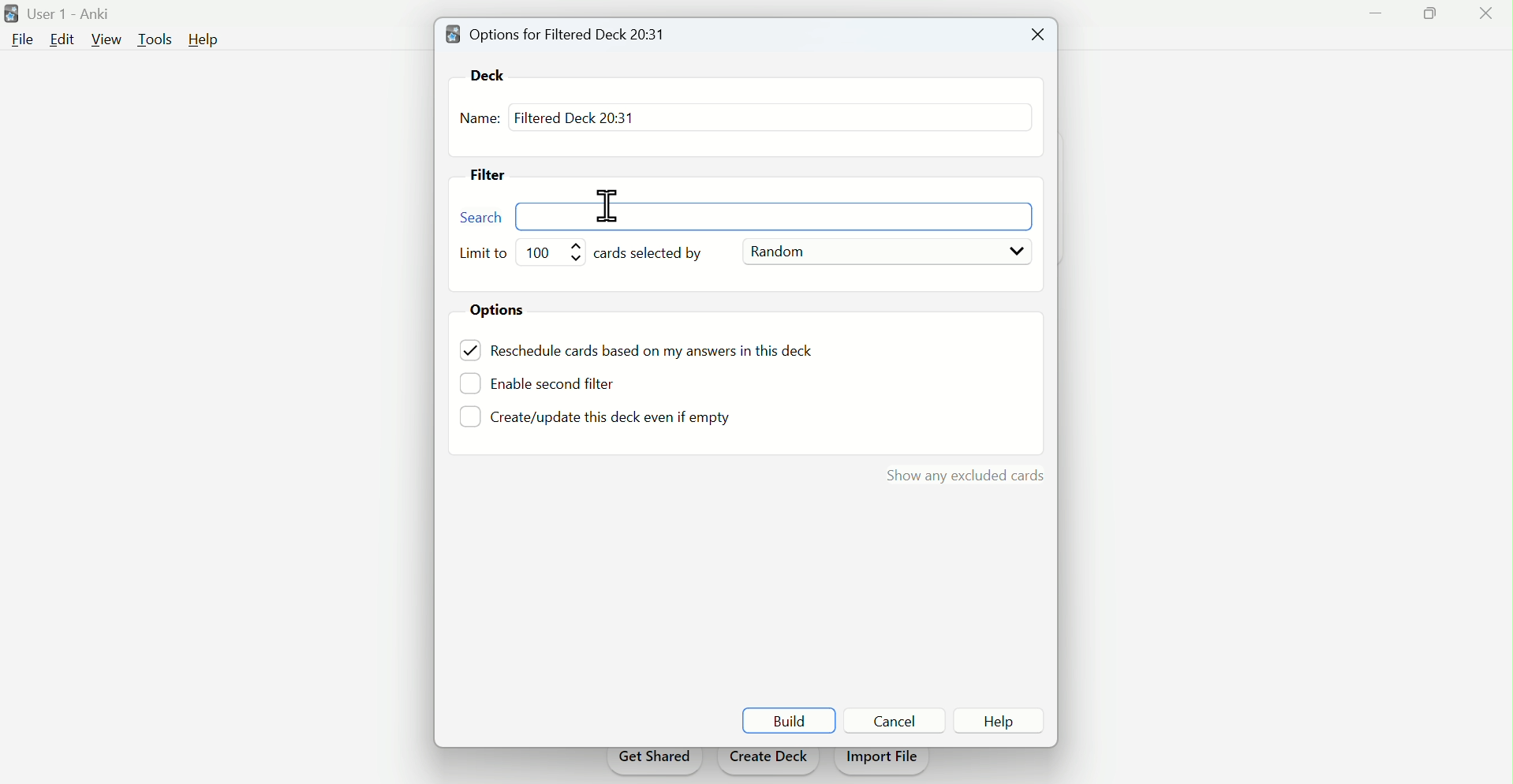 This screenshot has width=1513, height=784. What do you see at coordinates (486, 254) in the screenshot?
I see `Limit to` at bounding box center [486, 254].